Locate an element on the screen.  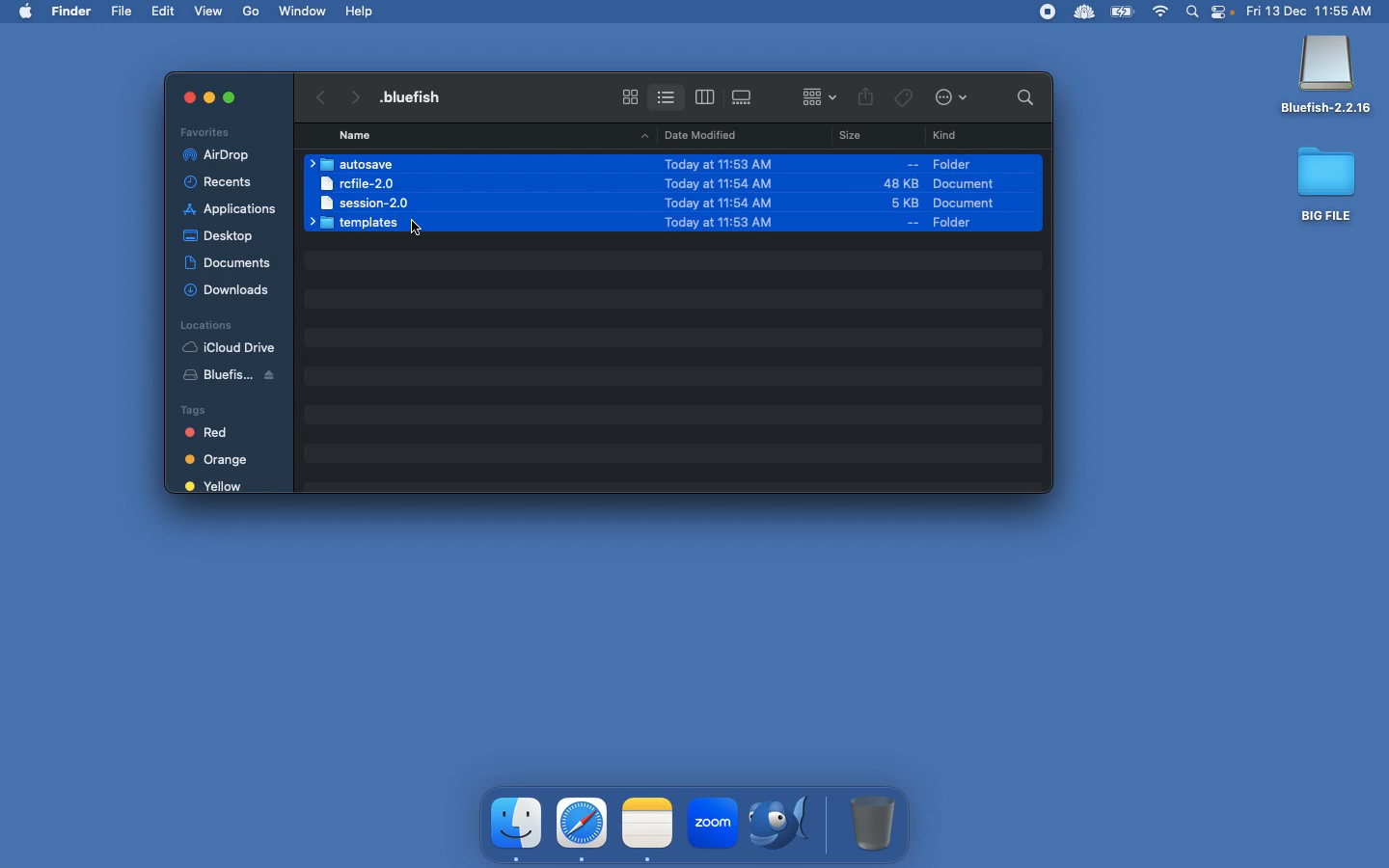
Go is located at coordinates (253, 12).